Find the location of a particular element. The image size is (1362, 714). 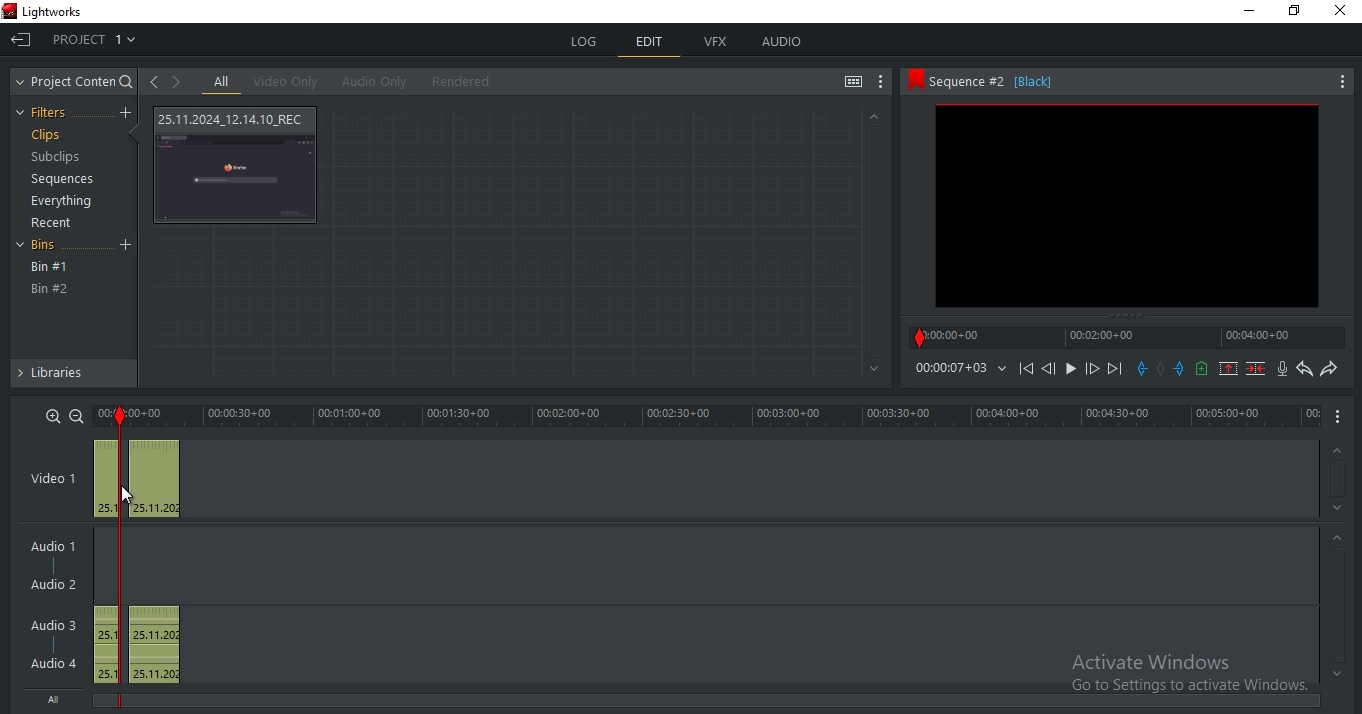

bins is located at coordinates (49, 247).